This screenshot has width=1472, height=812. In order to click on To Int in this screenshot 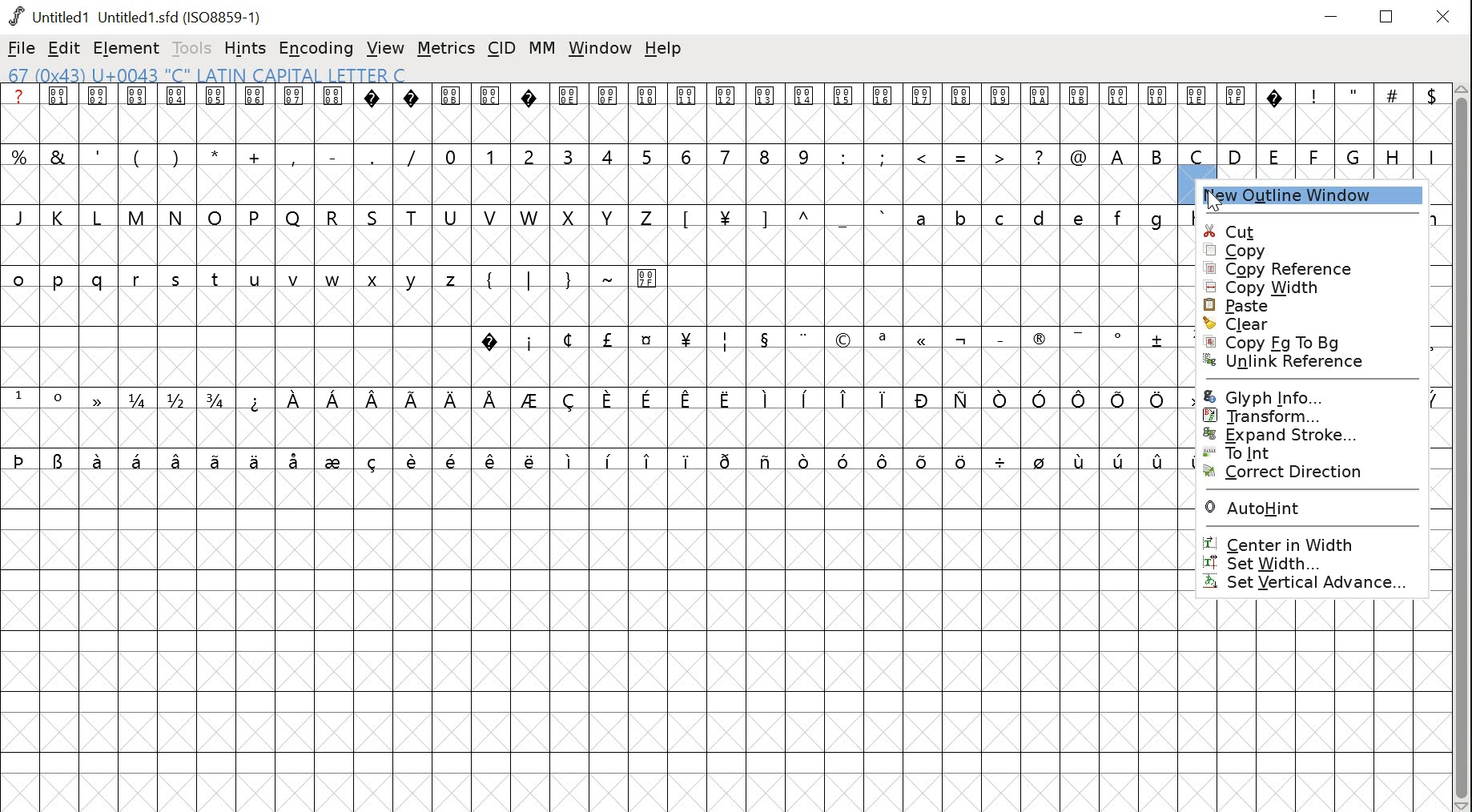, I will do `click(1298, 452)`.